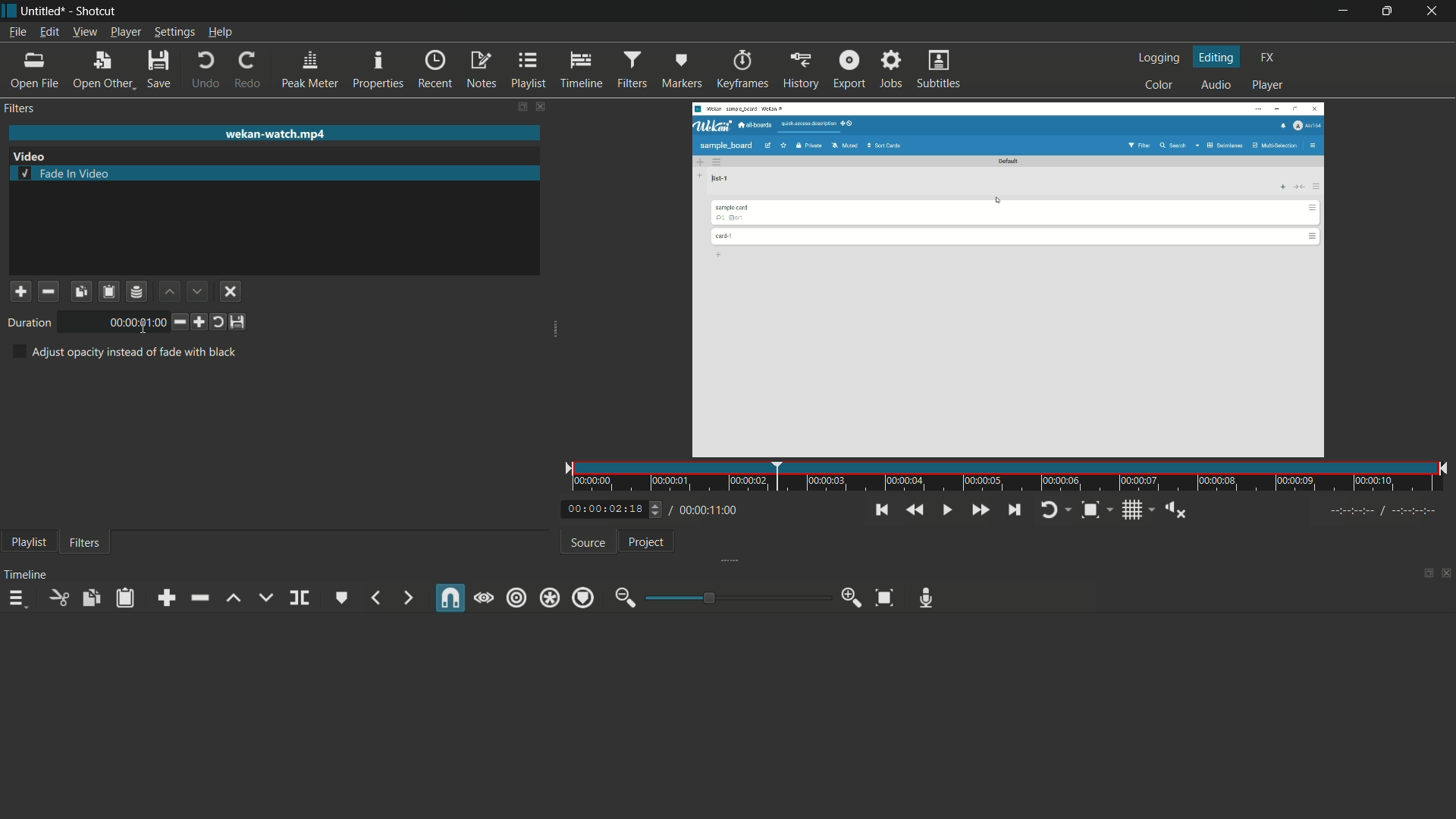 The width and height of the screenshot is (1456, 819). I want to click on toggle grid, so click(1134, 511).